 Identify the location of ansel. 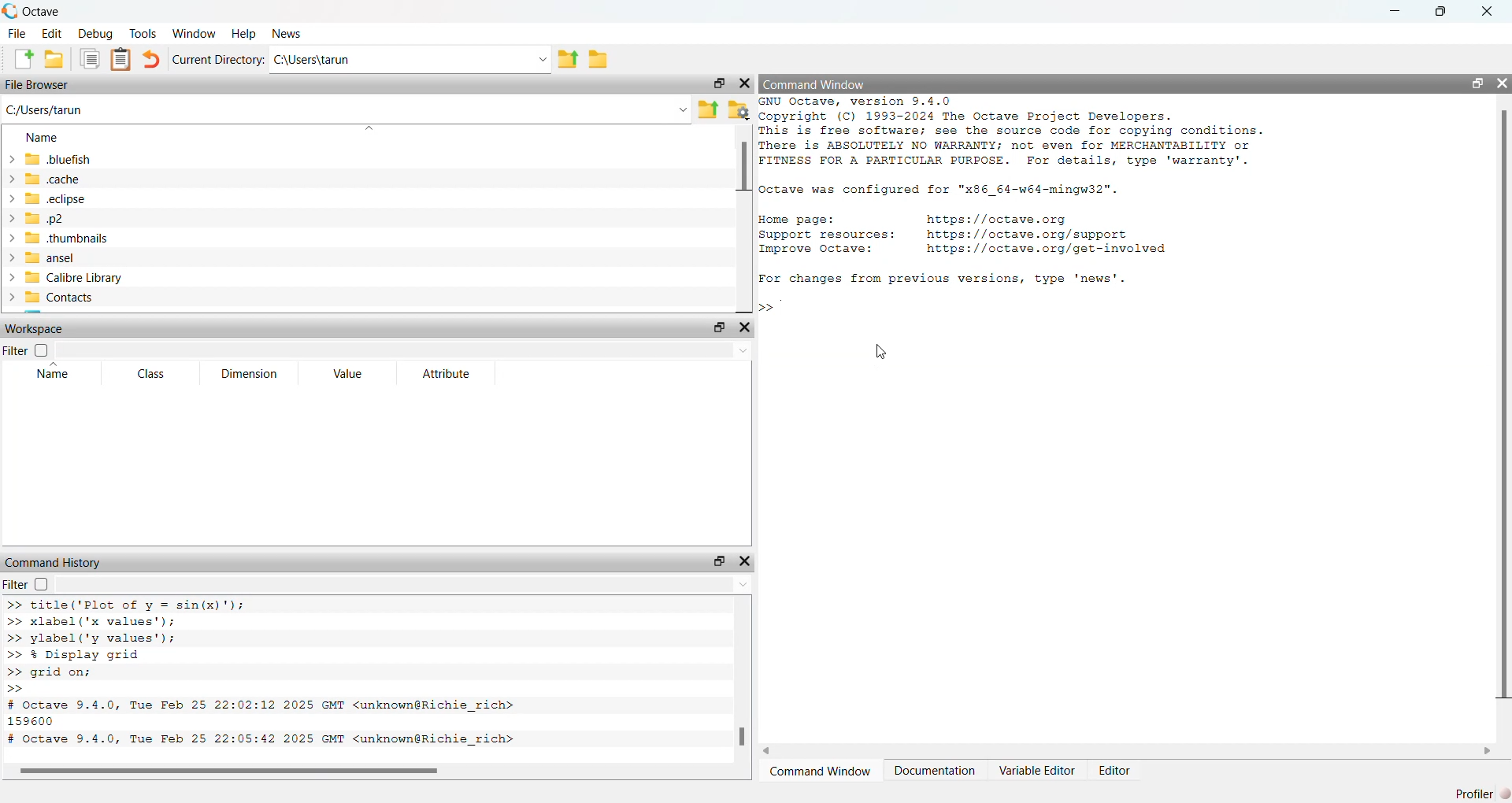
(41, 258).